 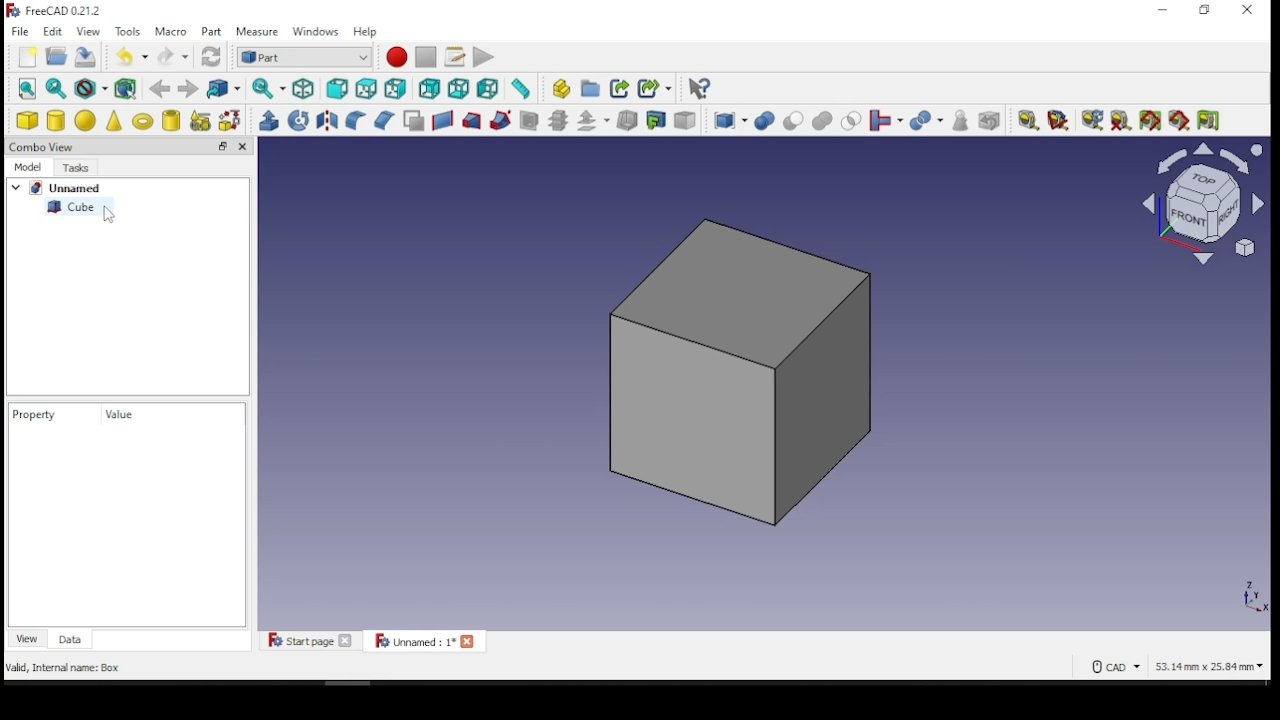 What do you see at coordinates (223, 146) in the screenshot?
I see `restore` at bounding box center [223, 146].